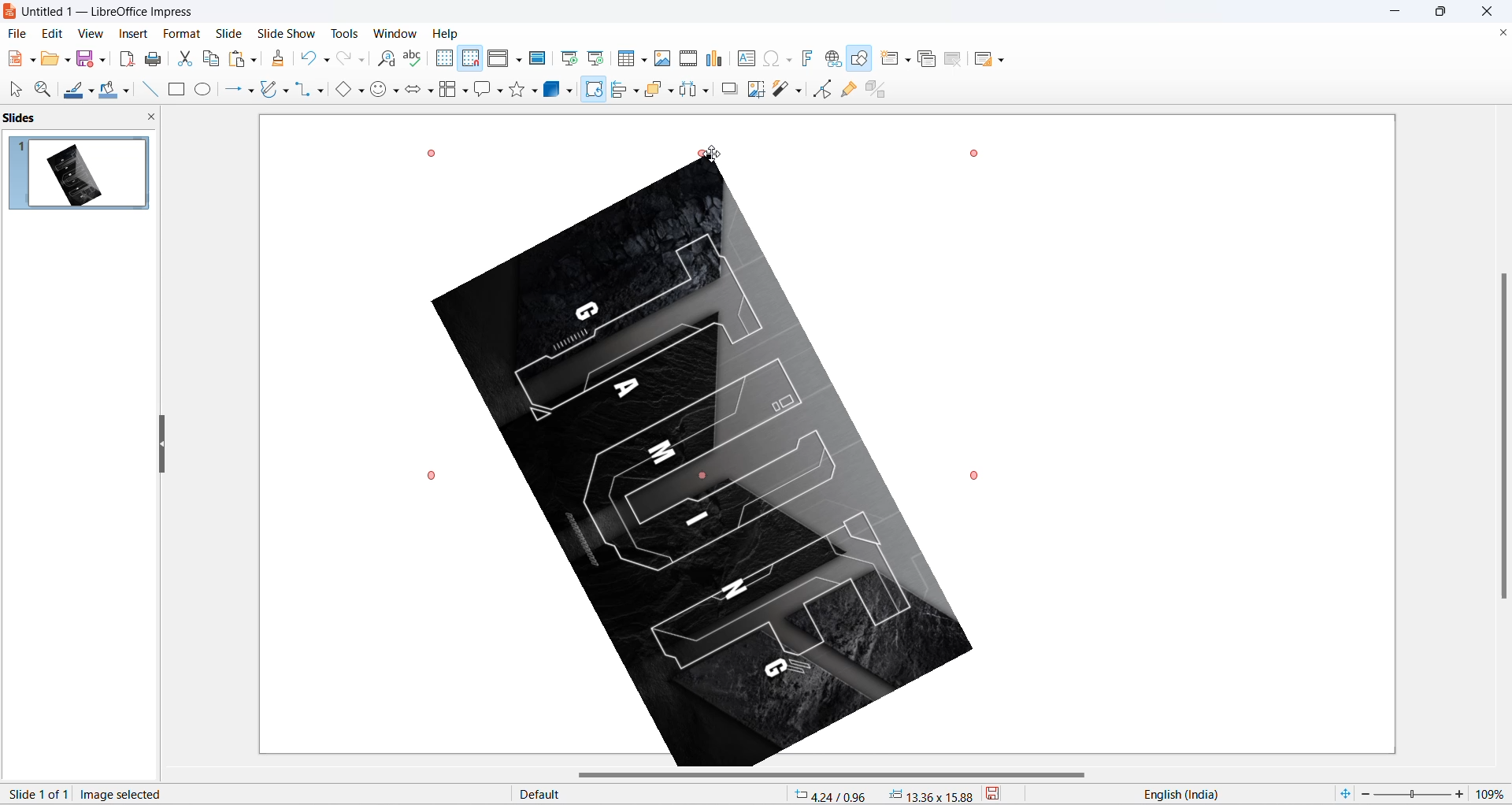  Describe the element at coordinates (787, 58) in the screenshot. I see `special character icons` at that location.